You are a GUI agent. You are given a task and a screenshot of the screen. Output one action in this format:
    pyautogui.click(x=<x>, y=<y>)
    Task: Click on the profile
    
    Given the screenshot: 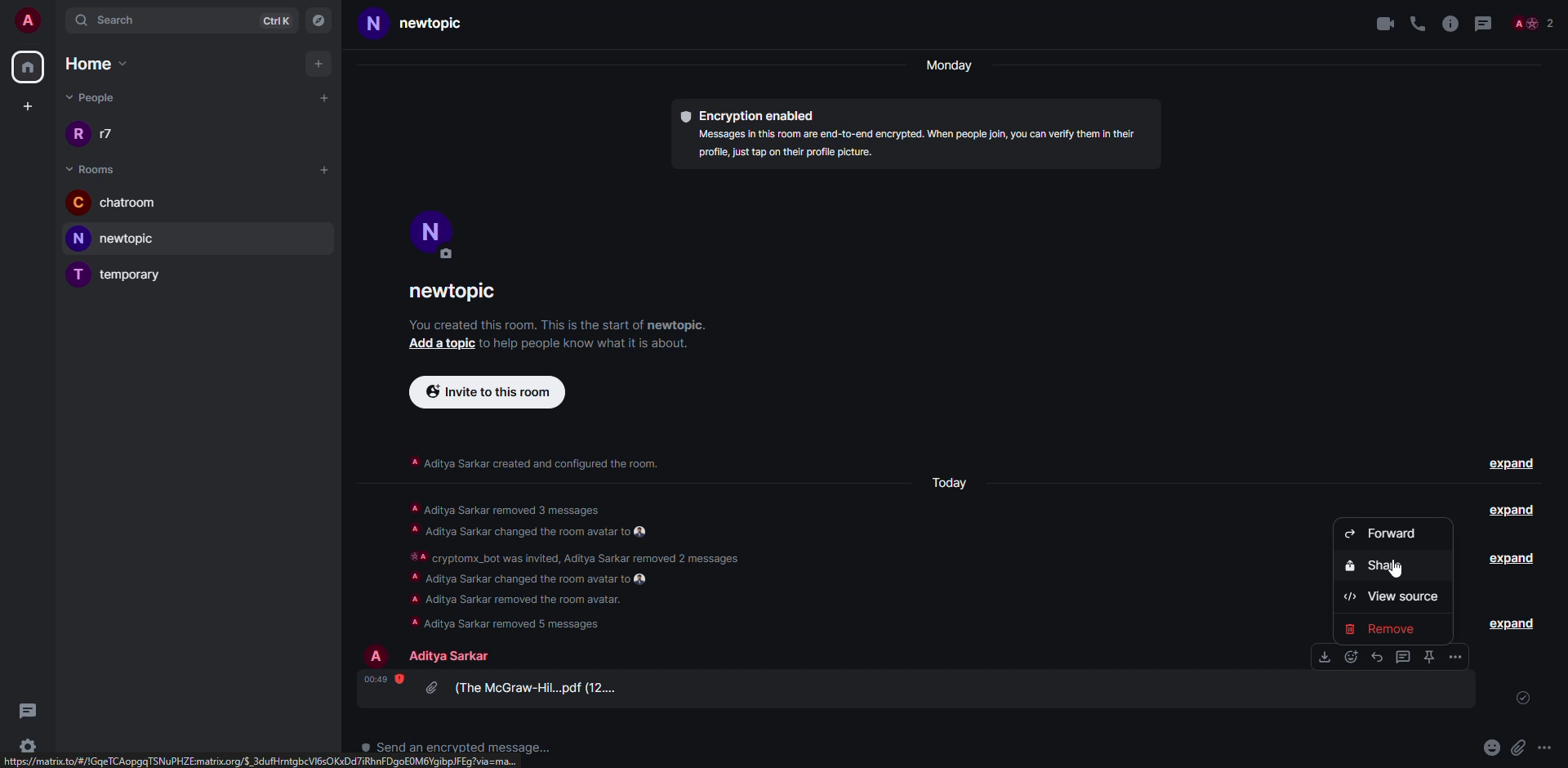 What is the action you would take?
    pyautogui.click(x=379, y=655)
    